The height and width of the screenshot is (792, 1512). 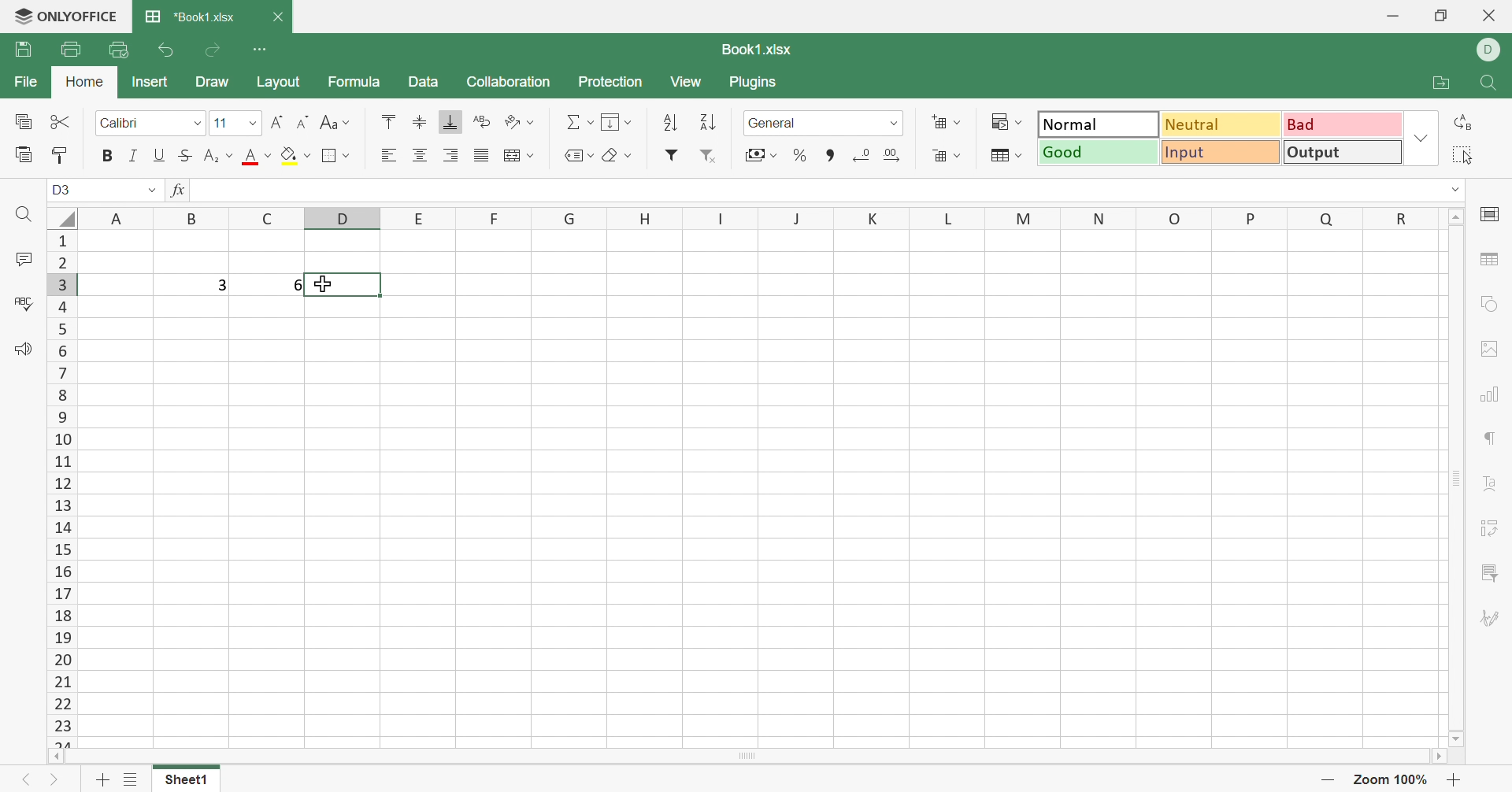 I want to click on Cell settings, so click(x=1493, y=213).